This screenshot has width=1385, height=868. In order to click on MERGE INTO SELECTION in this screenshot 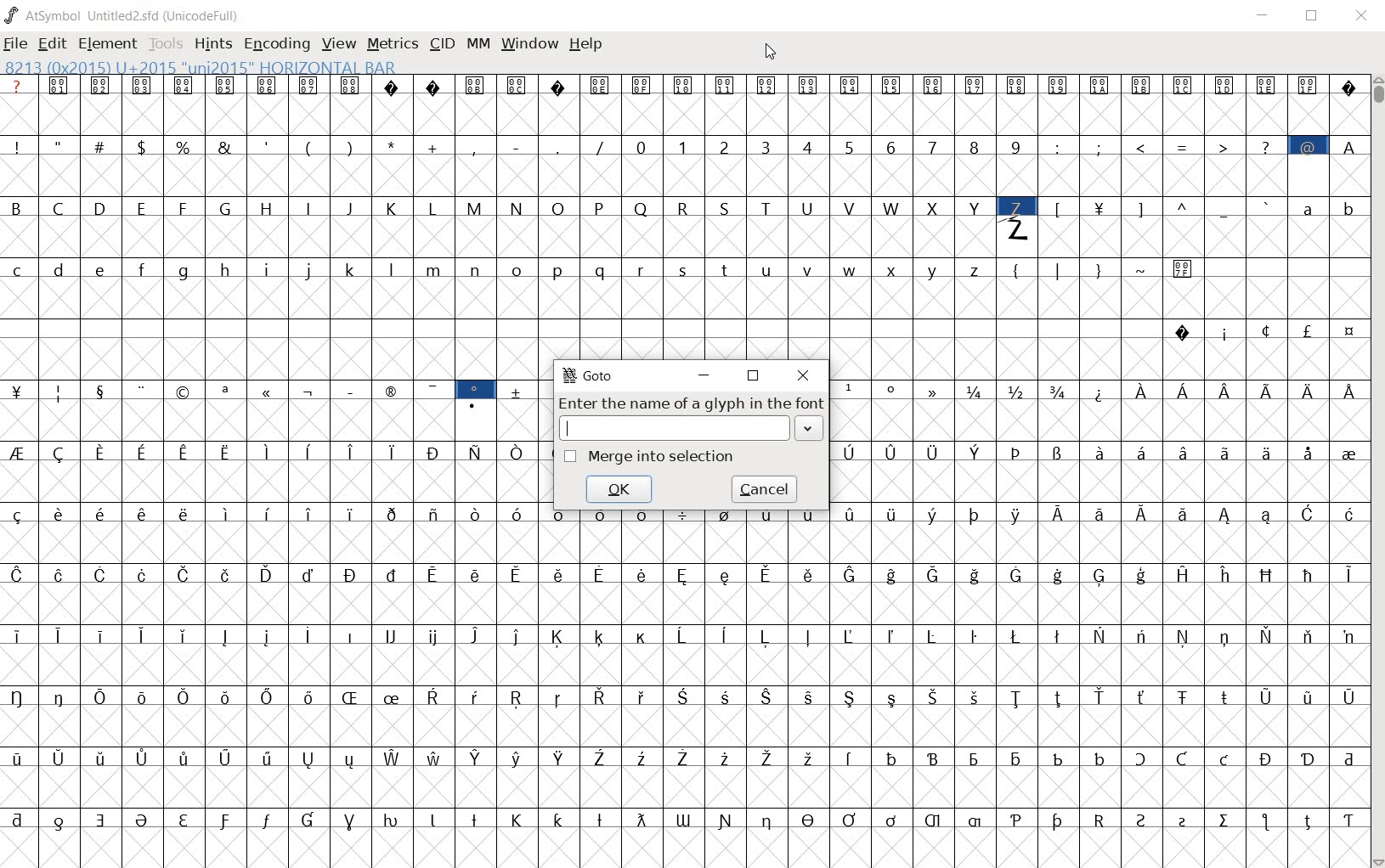, I will do `click(651, 455)`.